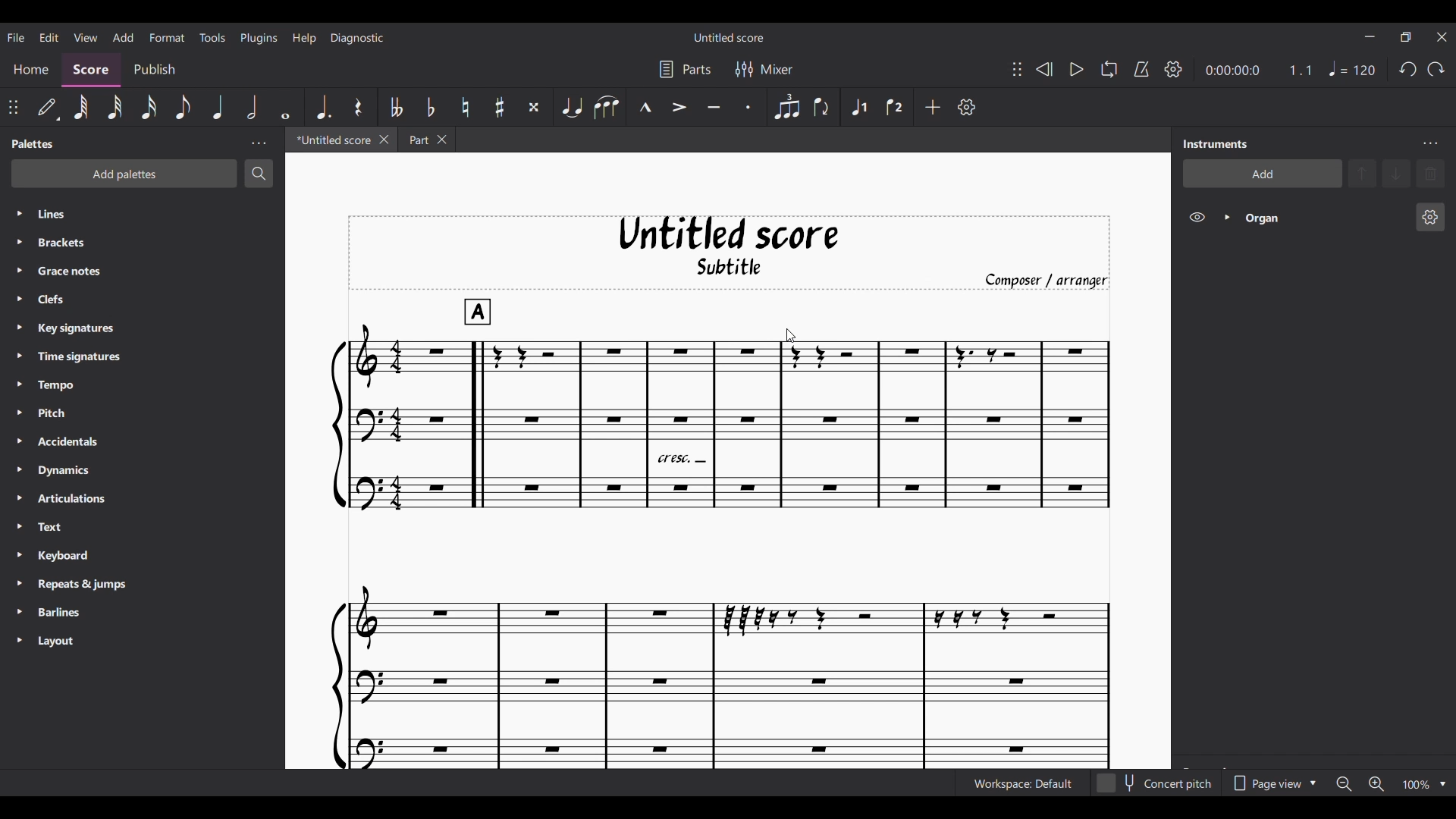  What do you see at coordinates (166, 35) in the screenshot?
I see `Format menu` at bounding box center [166, 35].